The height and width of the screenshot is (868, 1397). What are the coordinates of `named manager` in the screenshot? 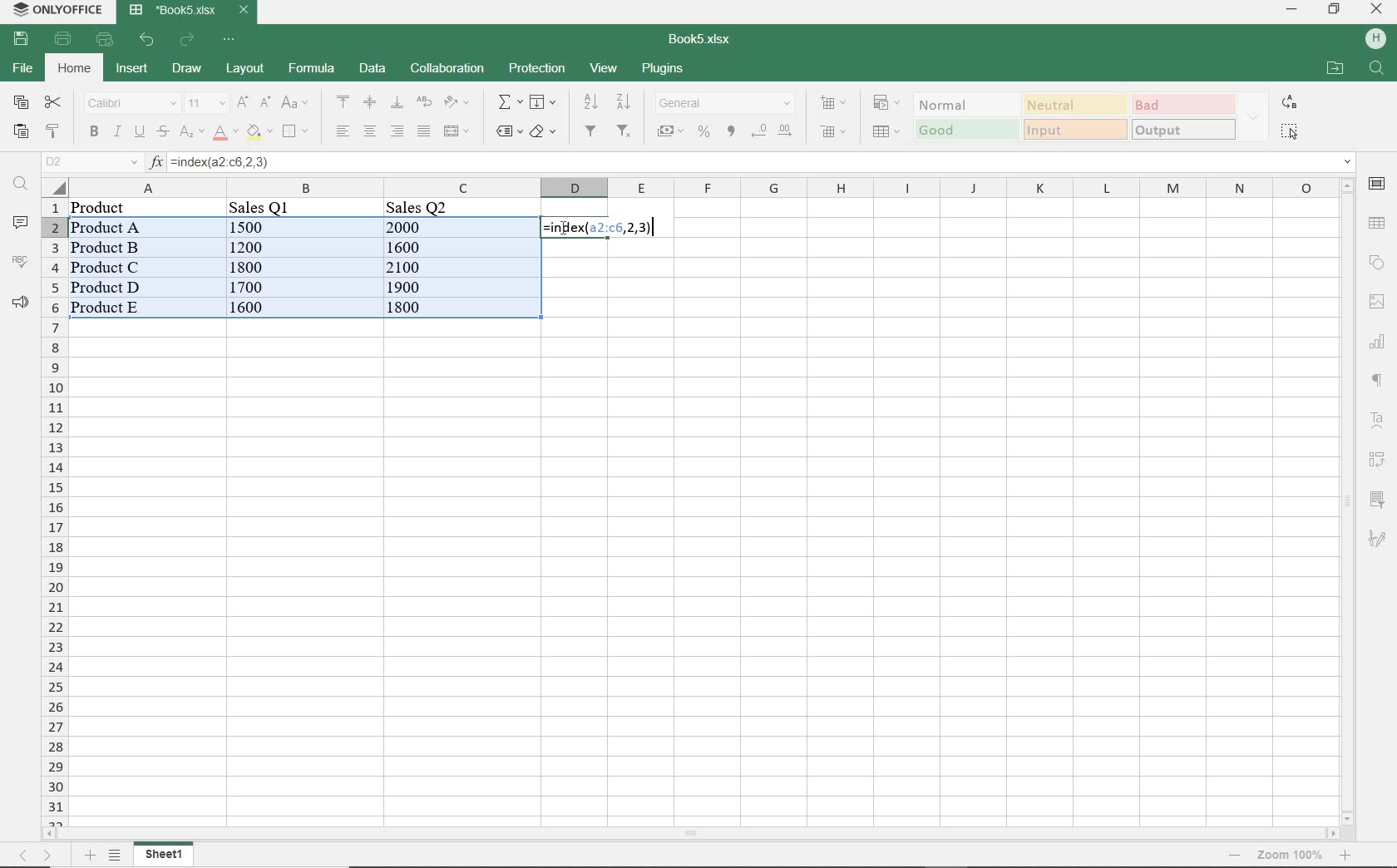 It's located at (91, 162).